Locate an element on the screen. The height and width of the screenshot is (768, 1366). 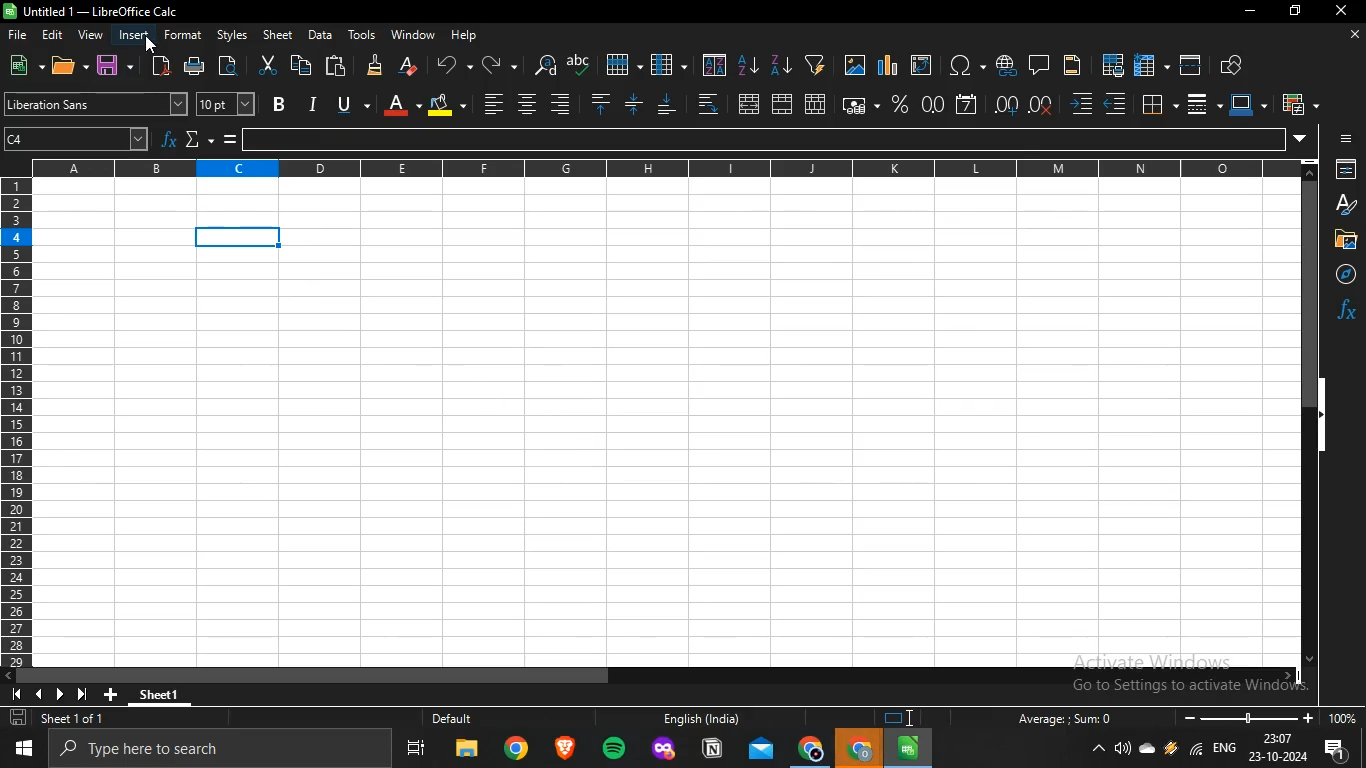
start is located at coordinates (28, 748).